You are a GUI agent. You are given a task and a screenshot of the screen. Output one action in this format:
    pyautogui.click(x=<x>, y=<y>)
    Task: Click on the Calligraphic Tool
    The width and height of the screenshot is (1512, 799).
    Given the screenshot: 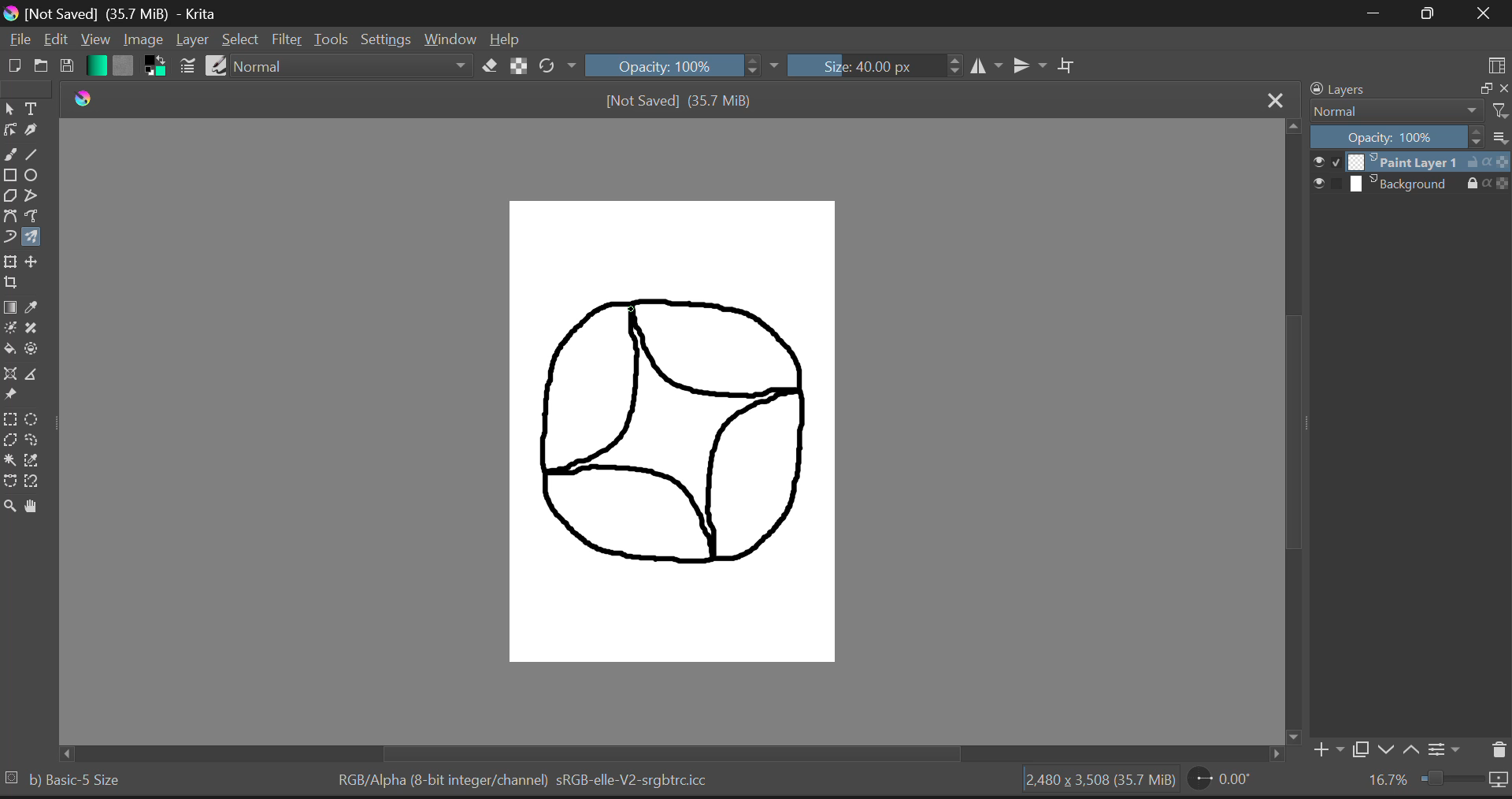 What is the action you would take?
    pyautogui.click(x=34, y=128)
    